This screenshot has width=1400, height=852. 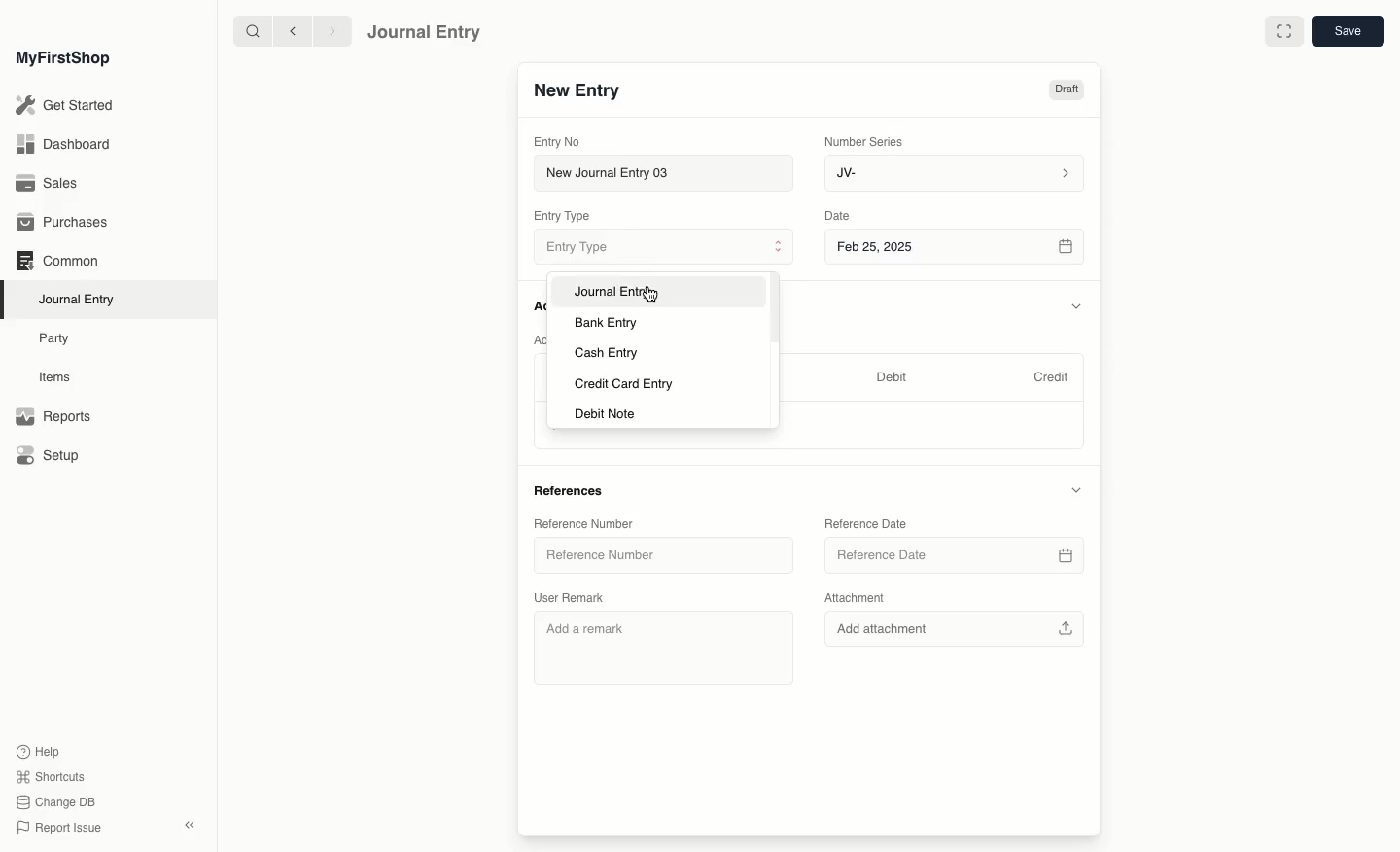 What do you see at coordinates (866, 523) in the screenshot?
I see `Reference Date` at bounding box center [866, 523].